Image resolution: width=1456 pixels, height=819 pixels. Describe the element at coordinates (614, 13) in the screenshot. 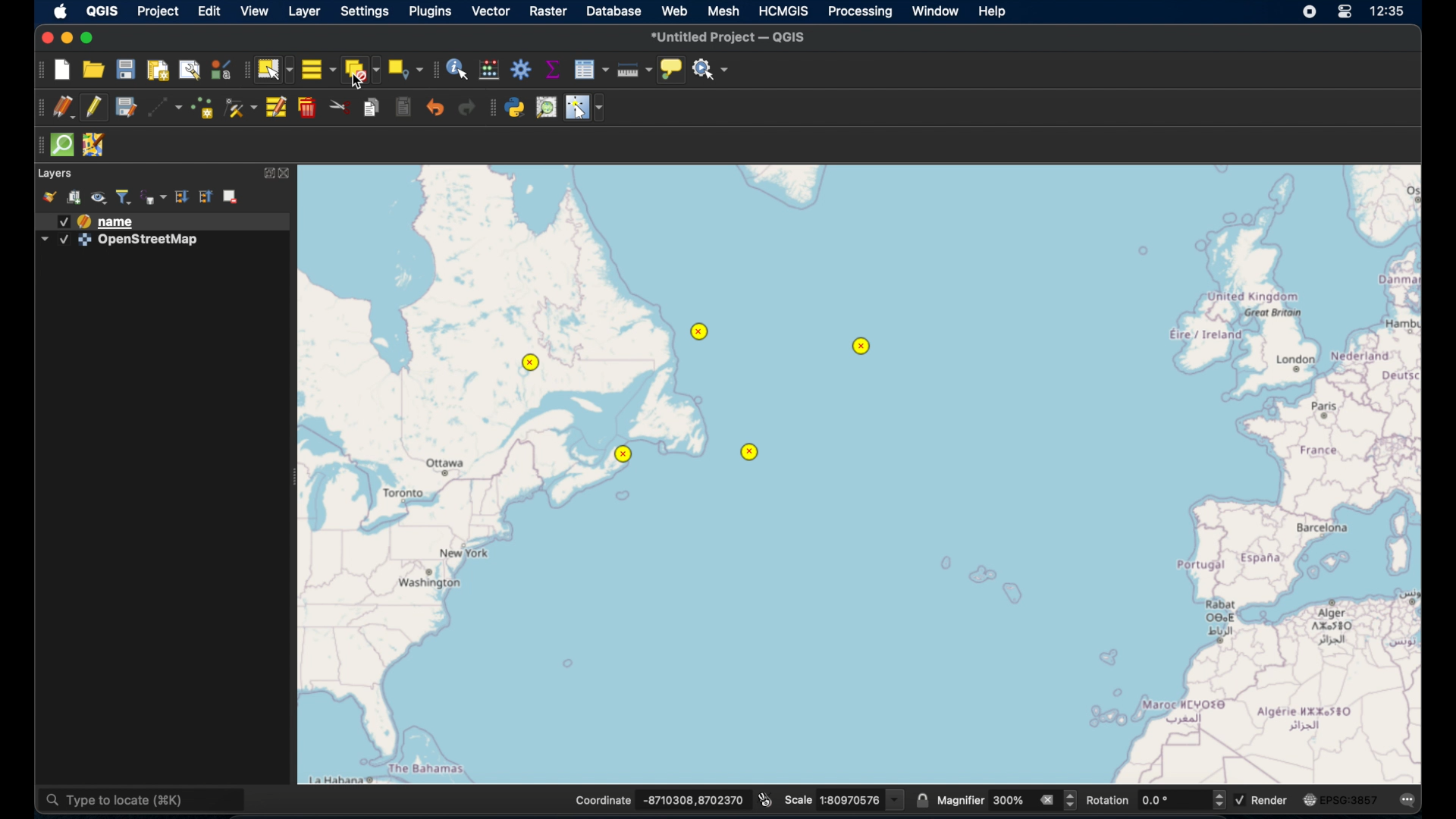

I see `database` at that location.